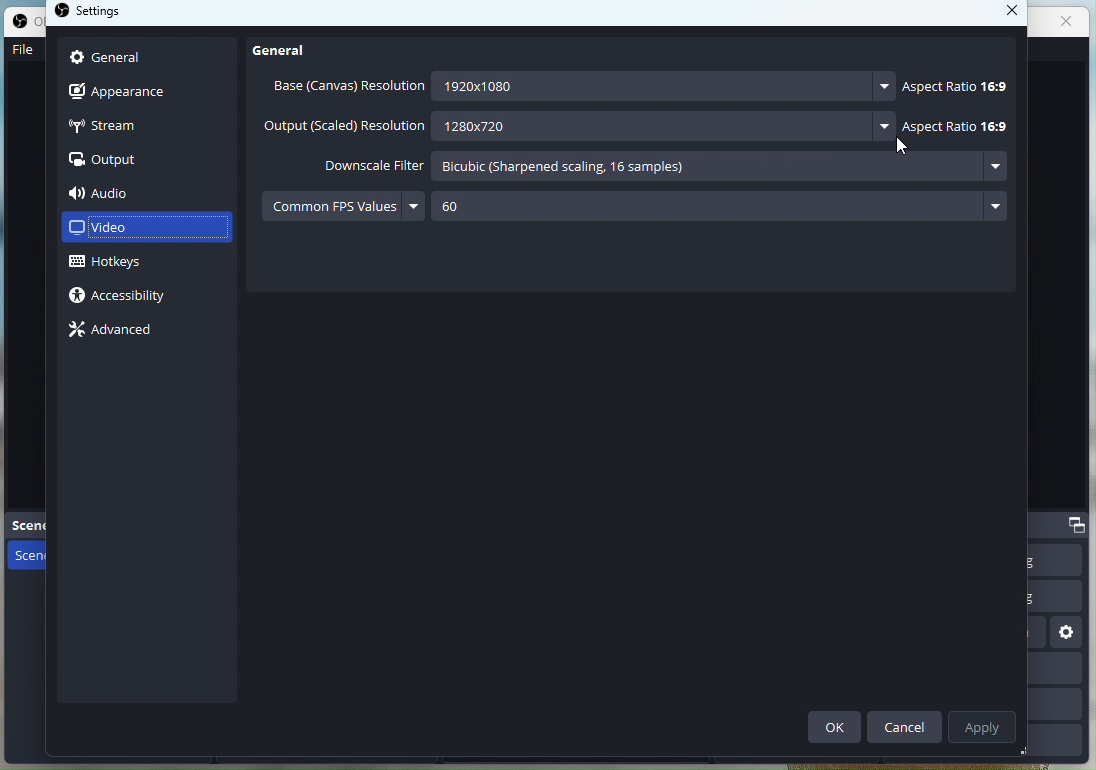 The width and height of the screenshot is (1096, 770). Describe the element at coordinates (145, 59) in the screenshot. I see `General` at that location.